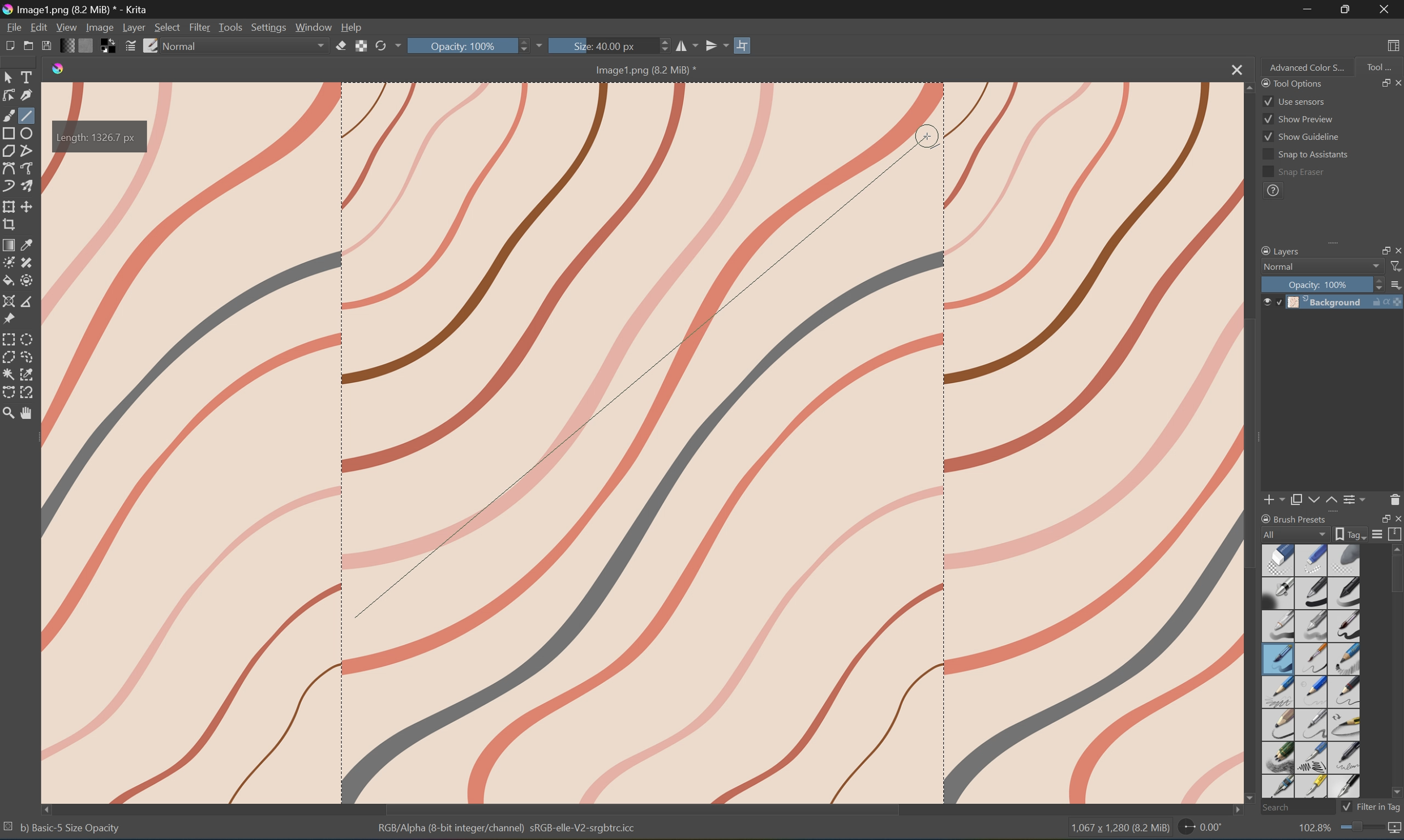  Describe the element at coordinates (1279, 267) in the screenshot. I see `Normal` at that location.